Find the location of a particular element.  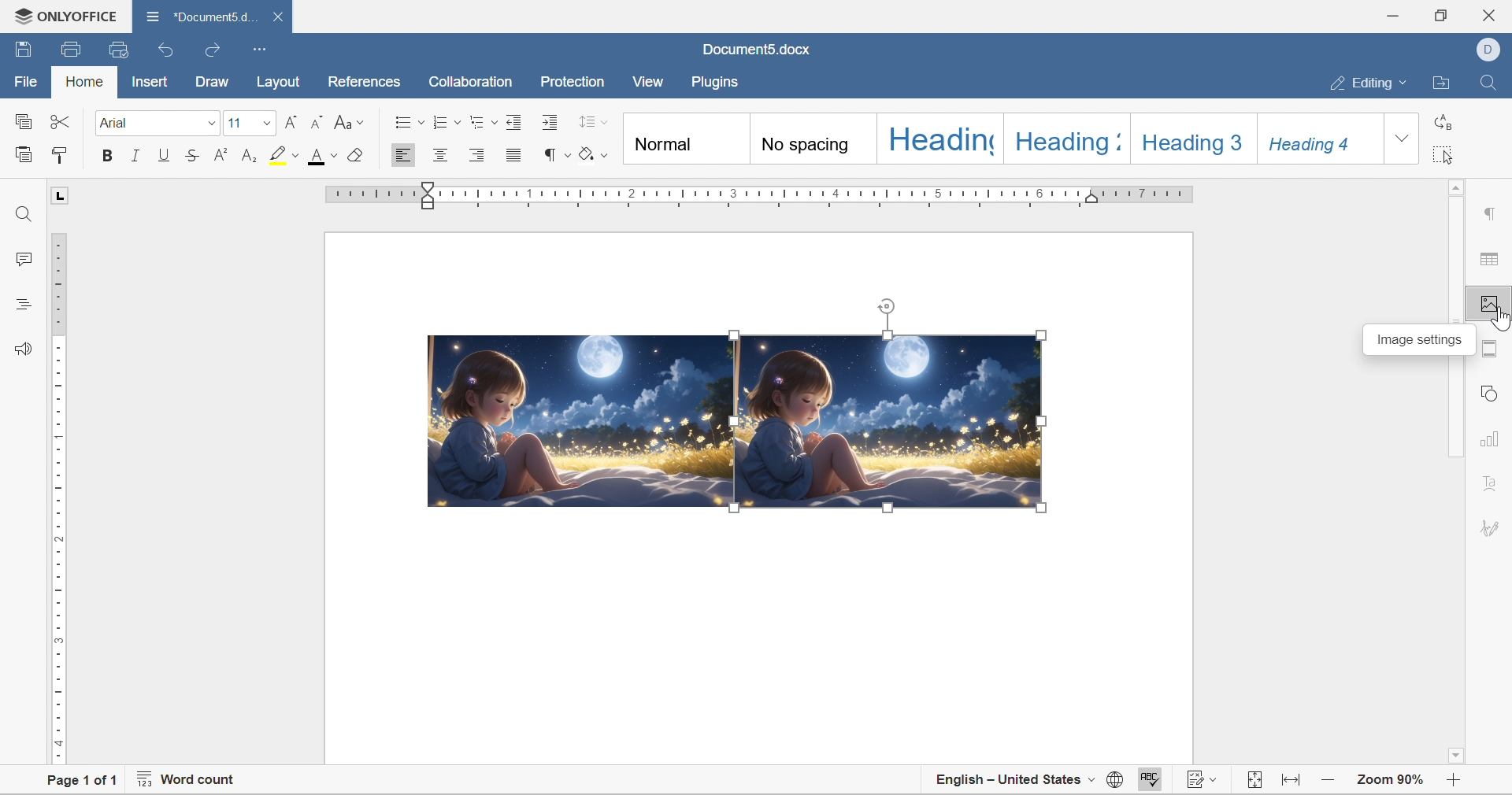

editing is located at coordinates (1373, 80).